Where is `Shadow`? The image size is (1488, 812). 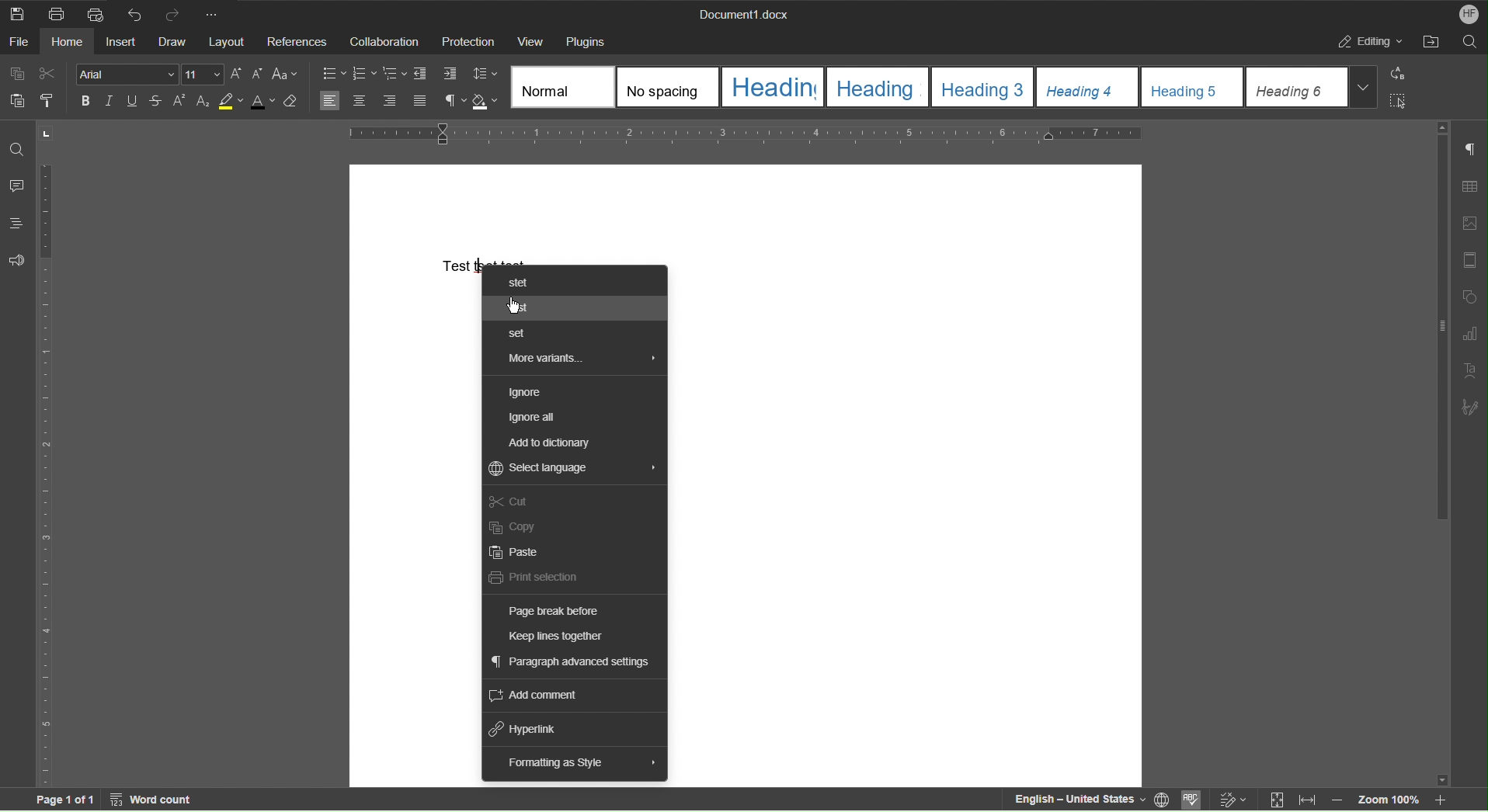 Shadow is located at coordinates (488, 102).